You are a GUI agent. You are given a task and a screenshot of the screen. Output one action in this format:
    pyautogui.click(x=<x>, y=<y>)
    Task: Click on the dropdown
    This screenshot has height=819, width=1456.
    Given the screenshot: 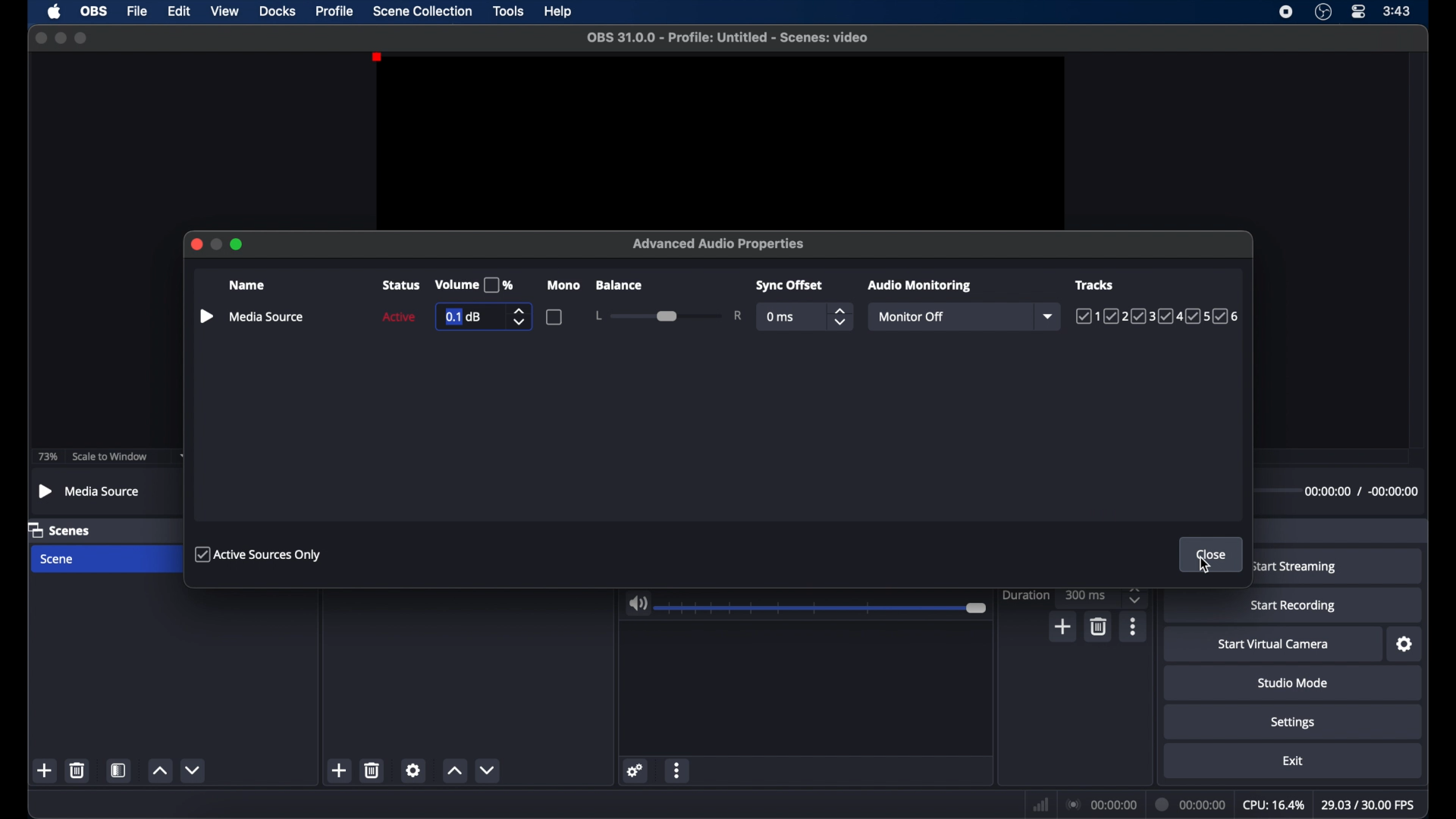 What is the action you would take?
    pyautogui.click(x=1050, y=317)
    